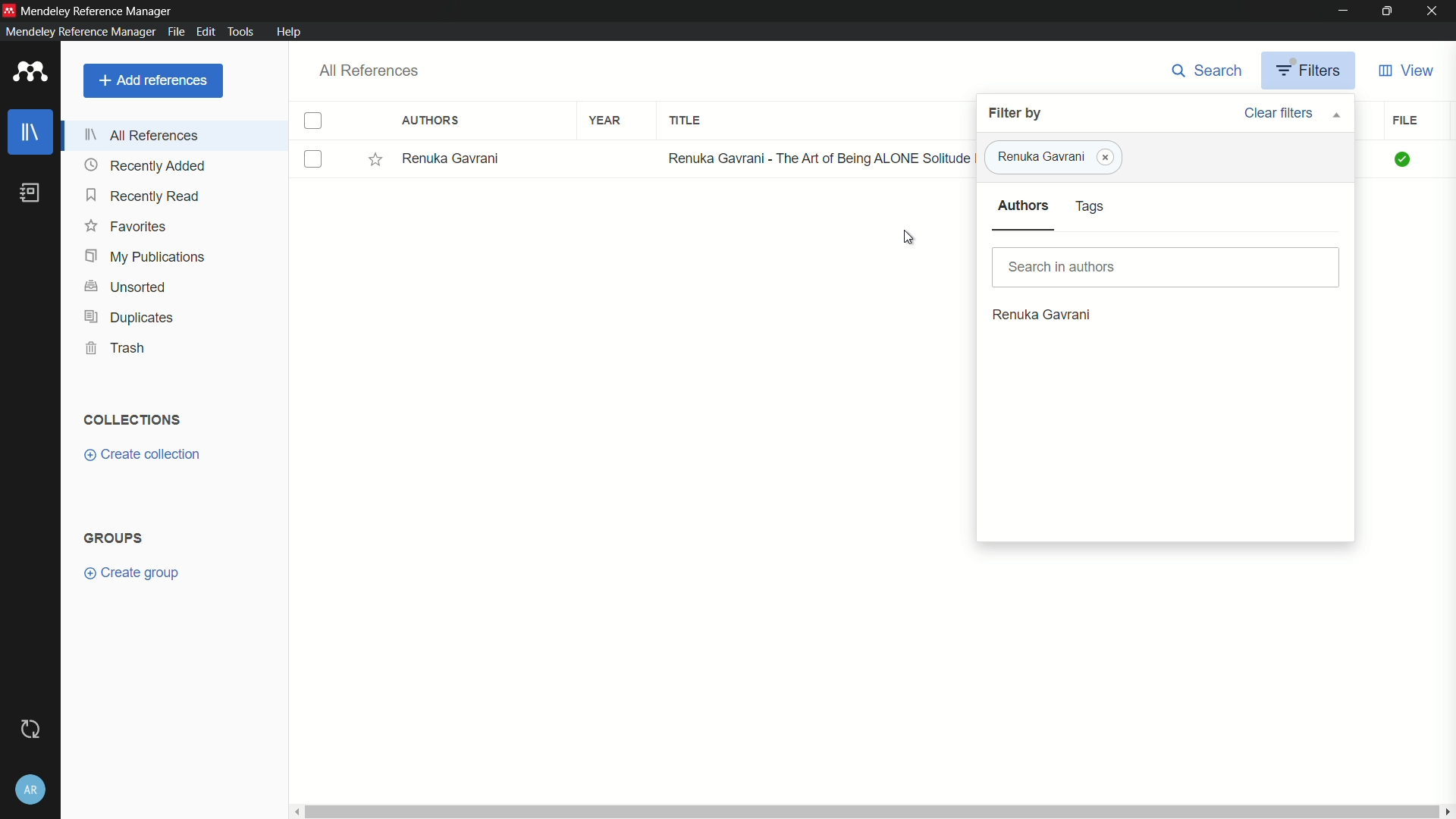  What do you see at coordinates (296, 811) in the screenshot?
I see `Scroll left` at bounding box center [296, 811].